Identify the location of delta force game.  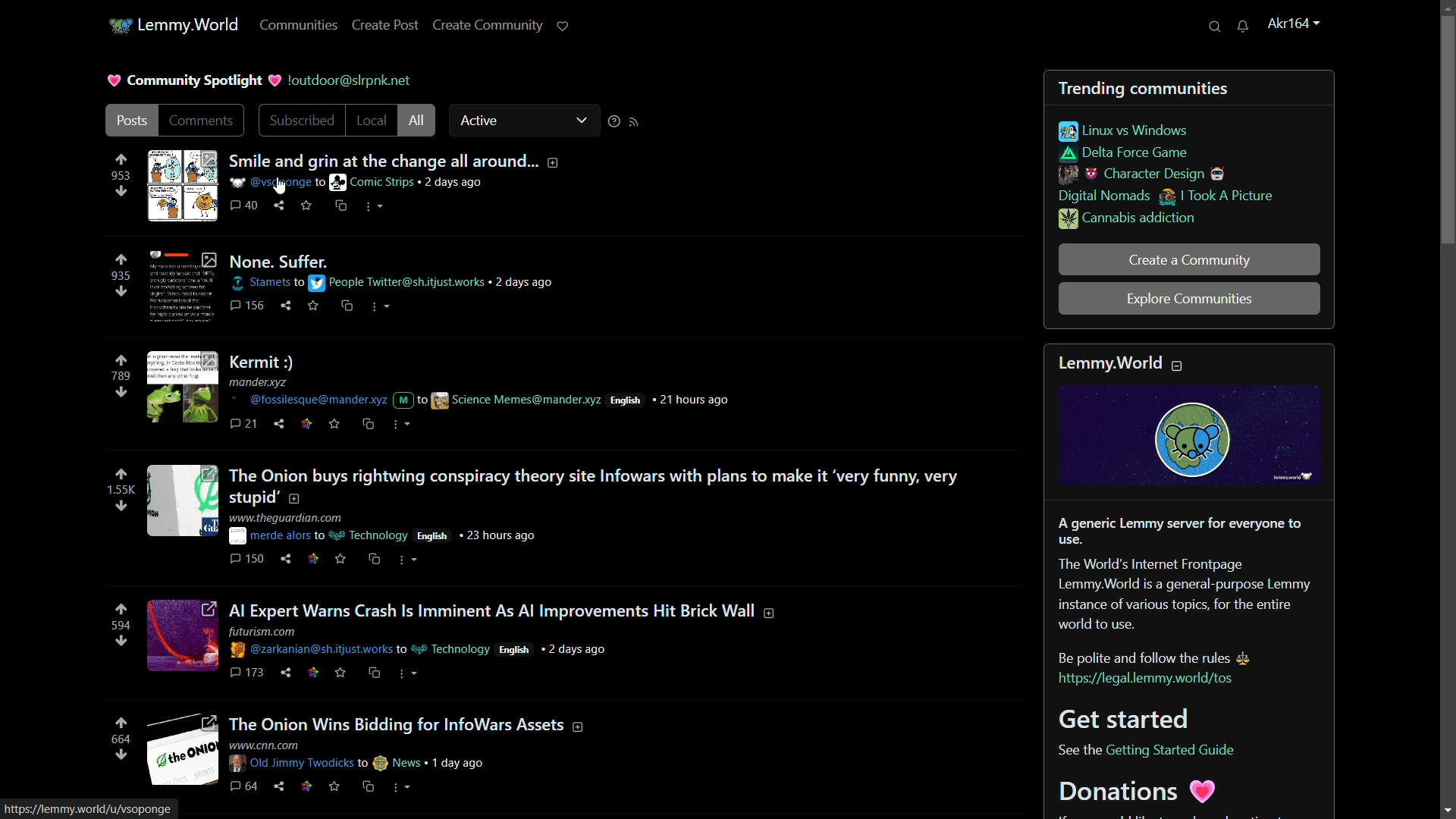
(1122, 154).